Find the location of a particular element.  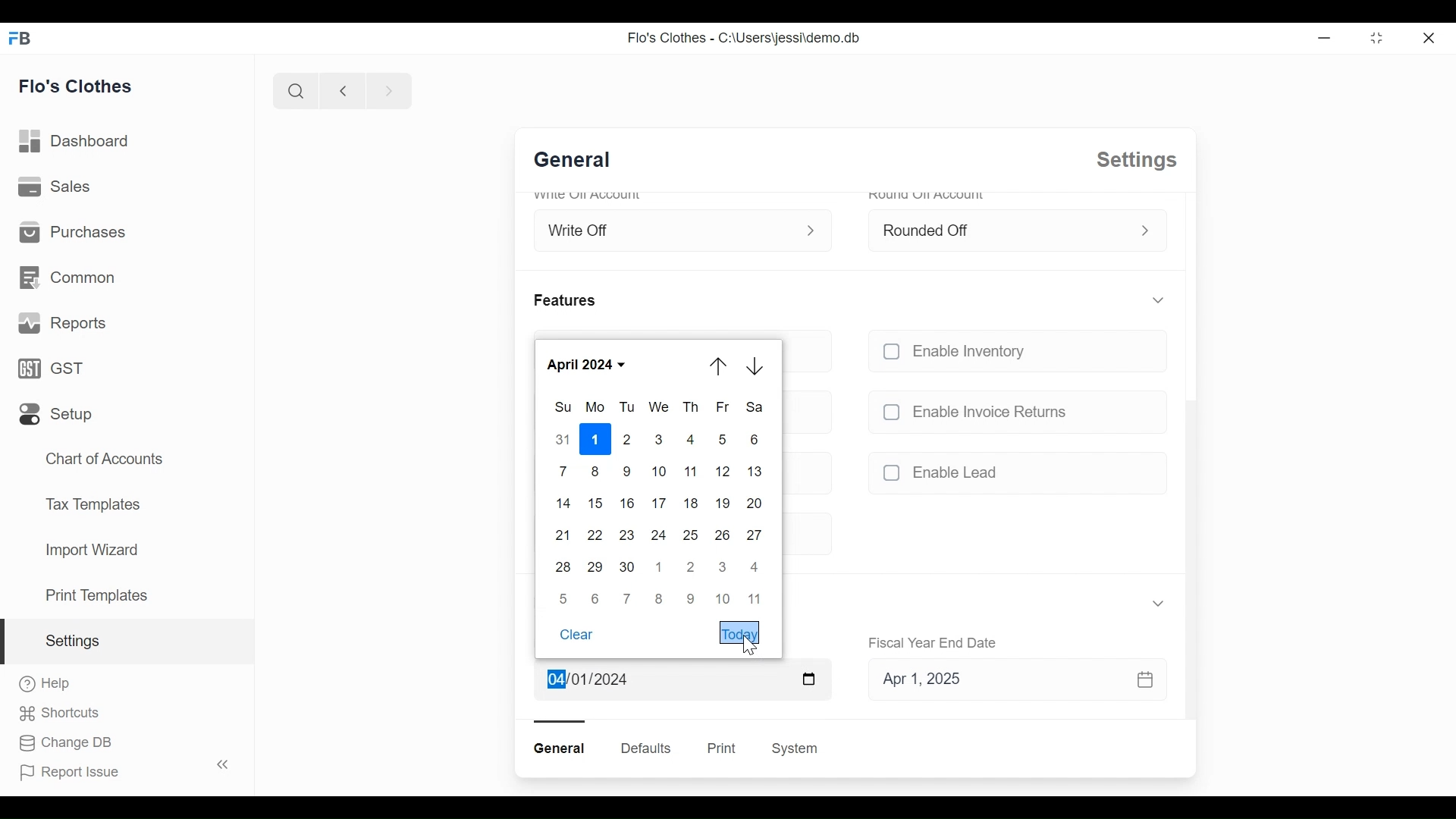

Change DB is located at coordinates (66, 744).